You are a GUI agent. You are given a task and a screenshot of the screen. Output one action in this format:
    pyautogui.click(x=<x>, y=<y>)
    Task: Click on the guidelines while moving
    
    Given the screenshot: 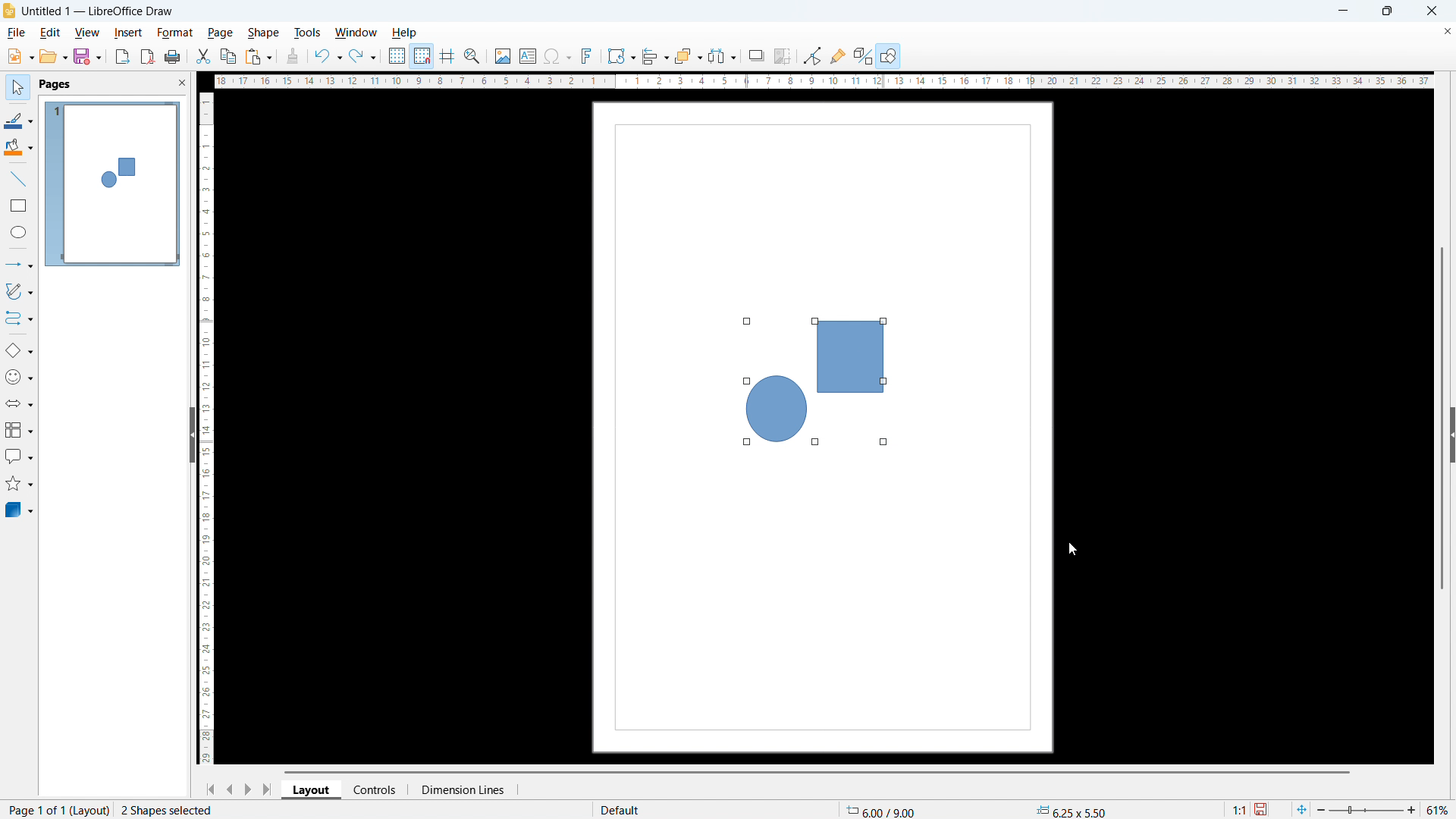 What is the action you would take?
    pyautogui.click(x=448, y=55)
    